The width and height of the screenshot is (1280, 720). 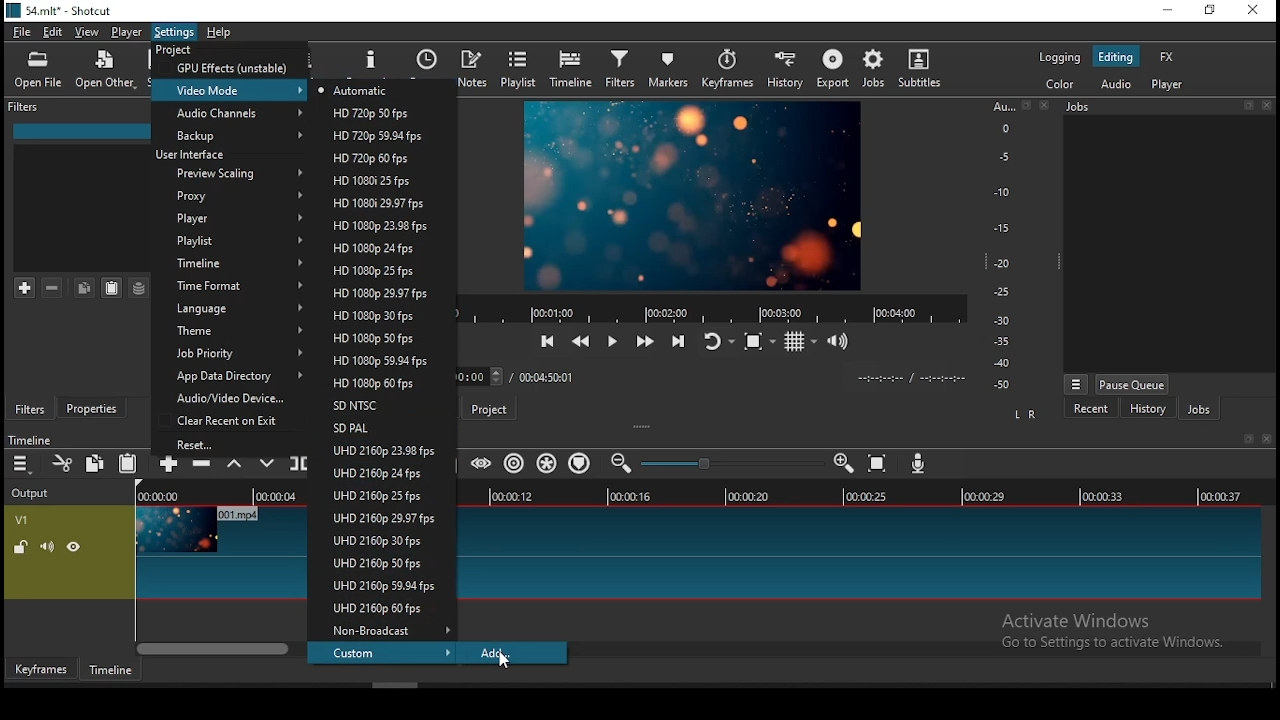 What do you see at coordinates (1167, 11) in the screenshot?
I see `minimize` at bounding box center [1167, 11].